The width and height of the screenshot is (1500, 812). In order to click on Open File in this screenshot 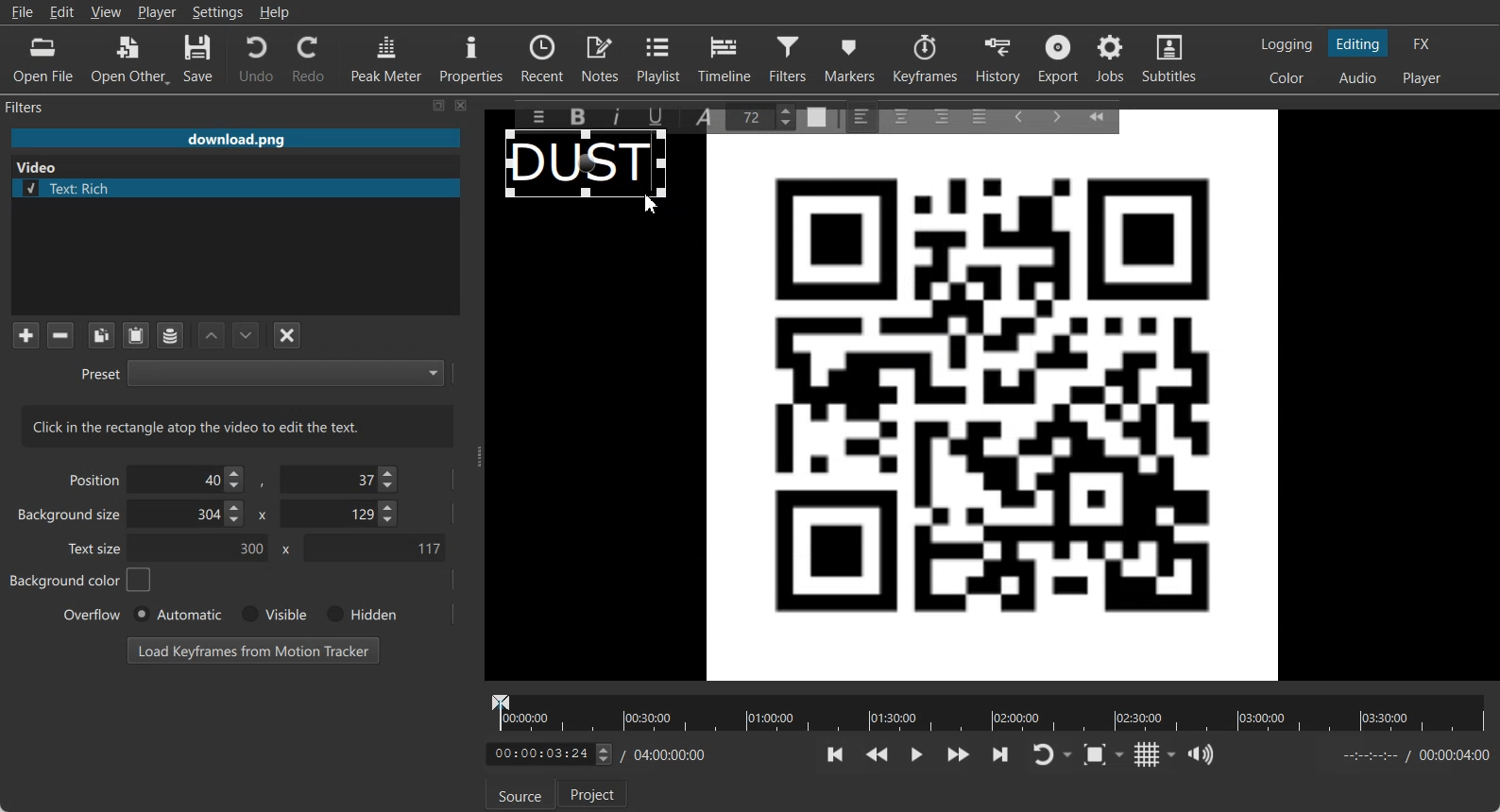, I will do `click(43, 60)`.